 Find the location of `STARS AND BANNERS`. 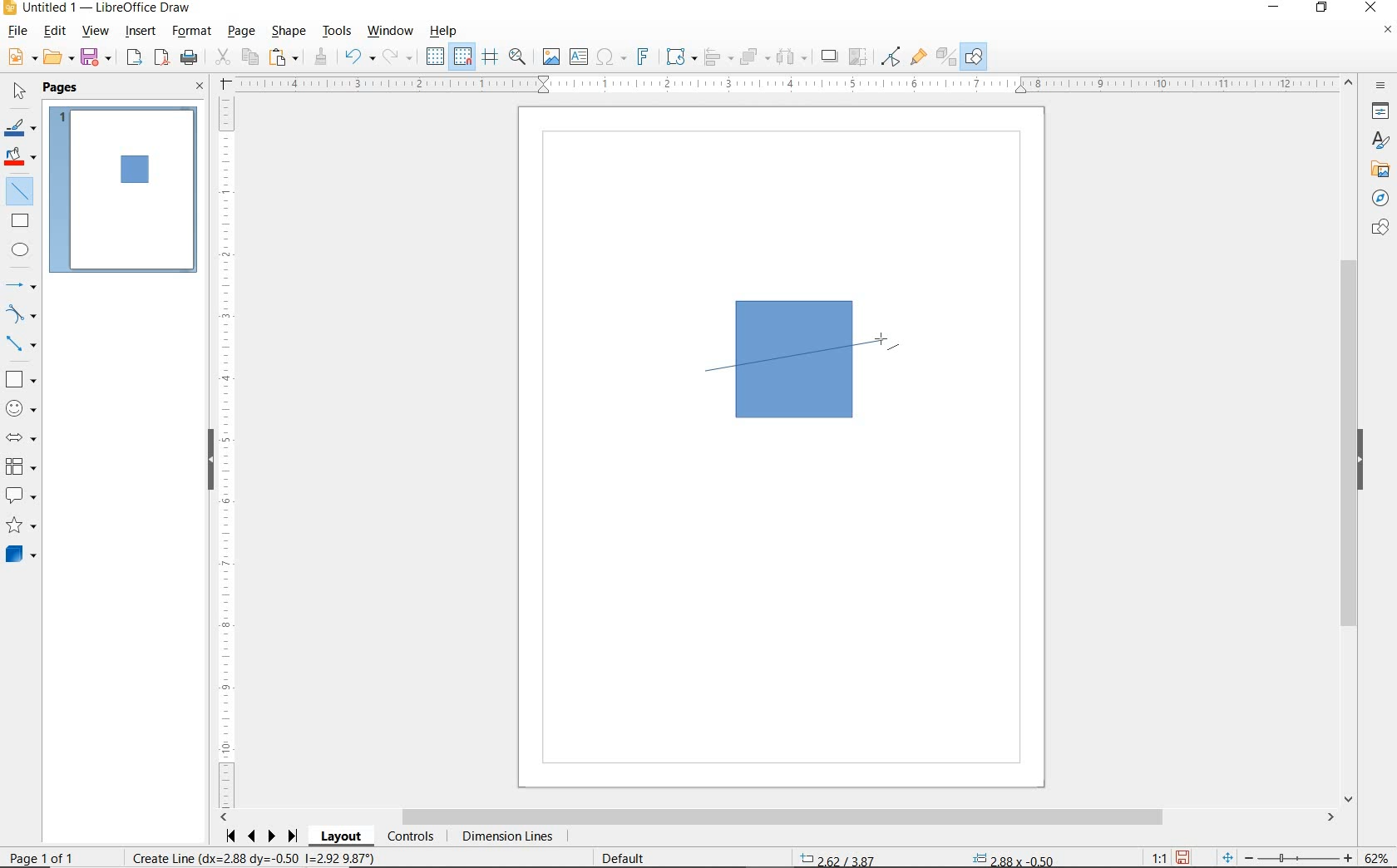

STARS AND BANNERS is located at coordinates (21, 526).